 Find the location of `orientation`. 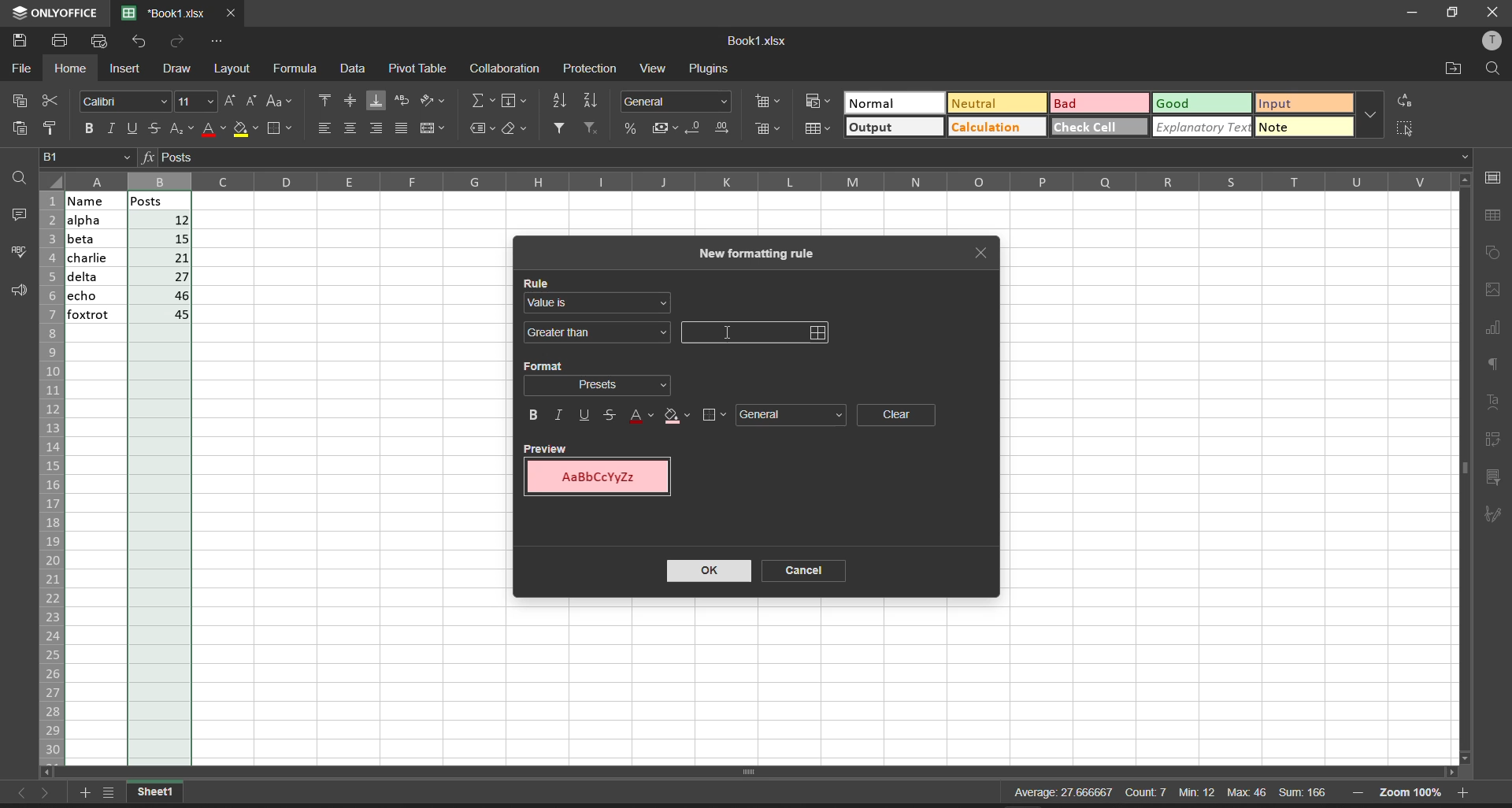

orientation is located at coordinates (437, 99).